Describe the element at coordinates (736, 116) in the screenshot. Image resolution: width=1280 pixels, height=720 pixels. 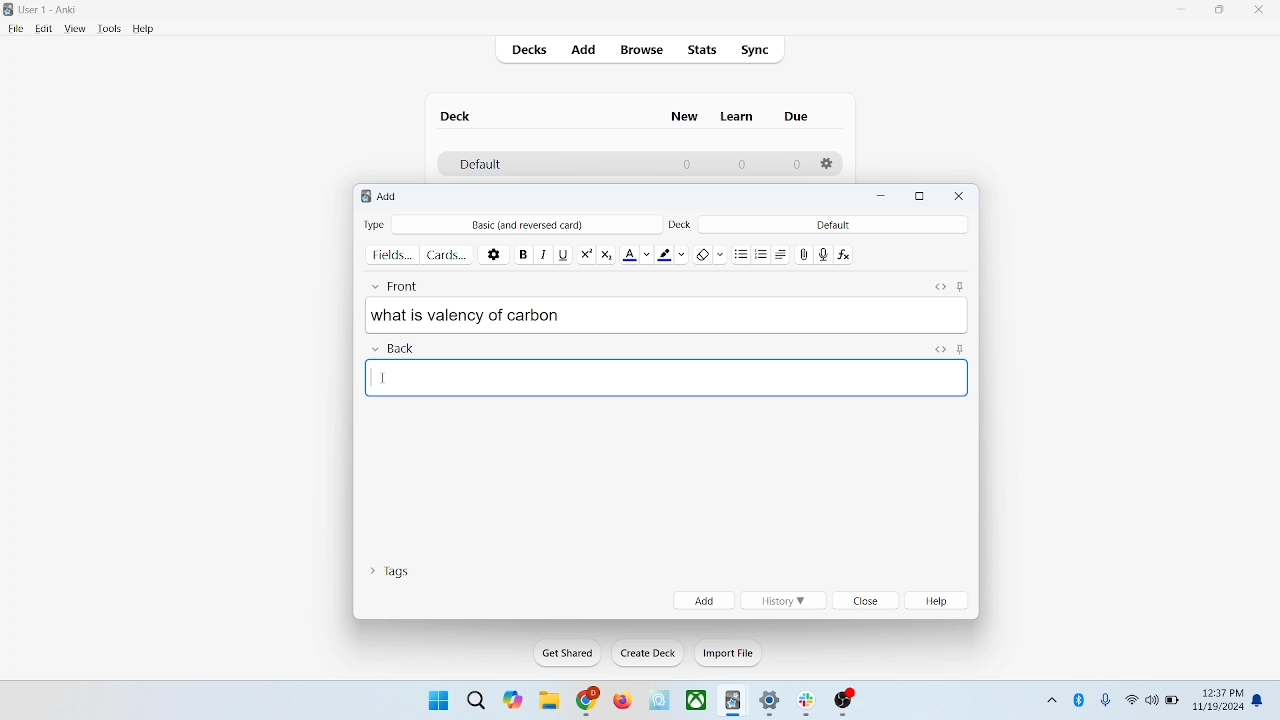
I see `learn` at that location.